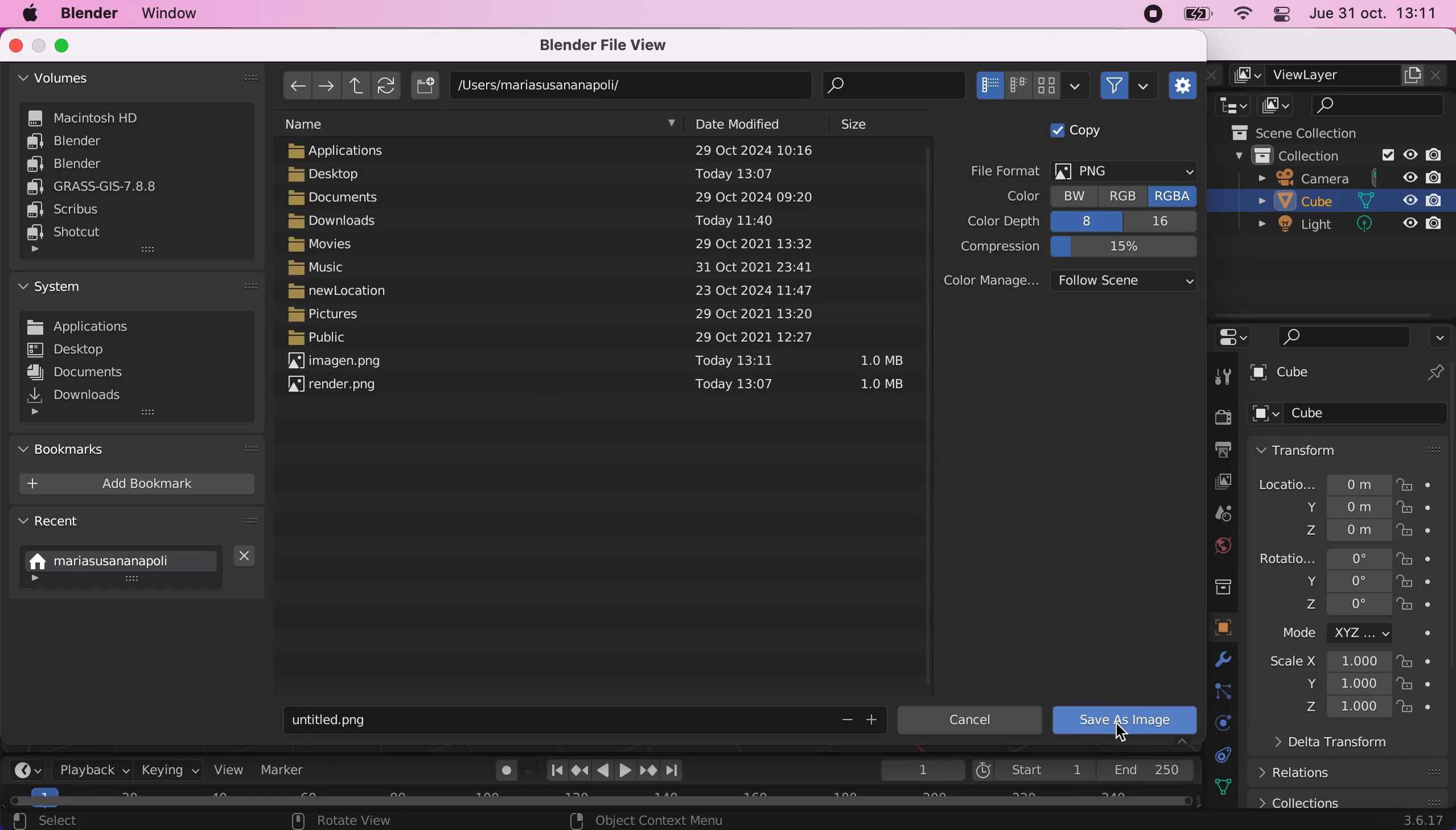 This screenshot has height=830, width=1456. What do you see at coordinates (1091, 196) in the screenshot?
I see `color` at bounding box center [1091, 196].